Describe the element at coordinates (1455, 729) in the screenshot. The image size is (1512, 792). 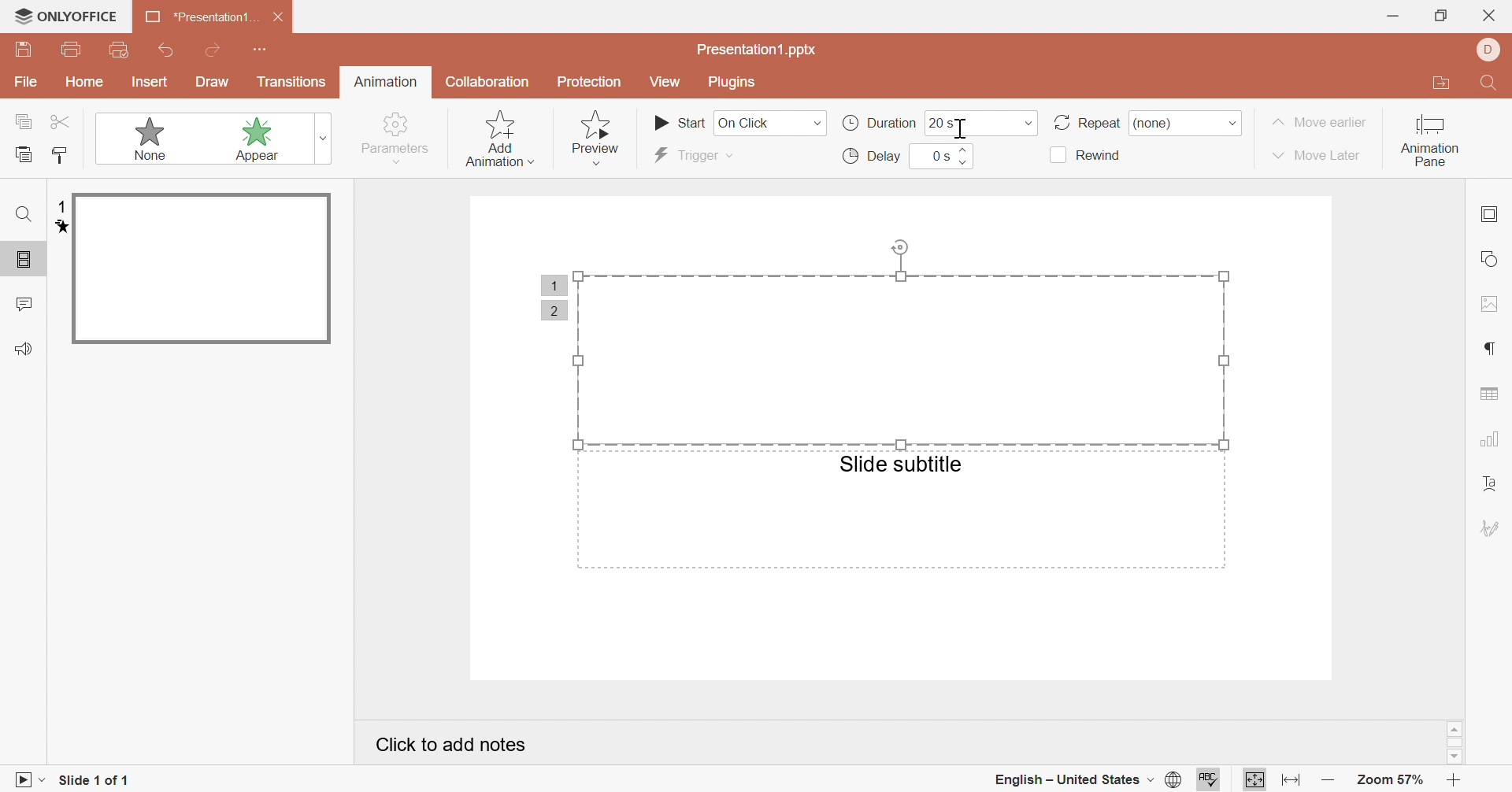
I see `scroll up` at that location.